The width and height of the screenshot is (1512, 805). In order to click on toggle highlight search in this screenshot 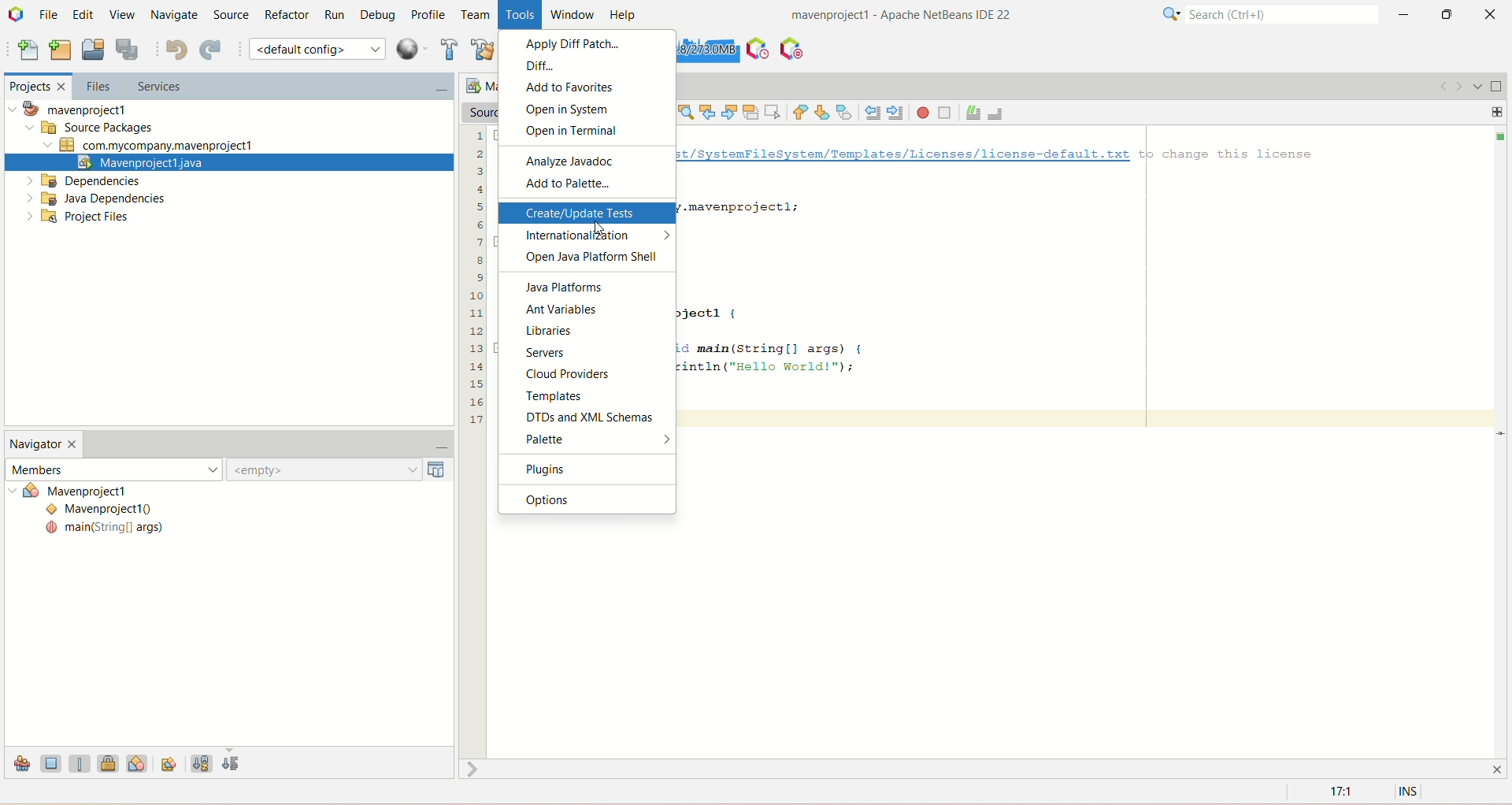, I will do `click(750, 113)`.